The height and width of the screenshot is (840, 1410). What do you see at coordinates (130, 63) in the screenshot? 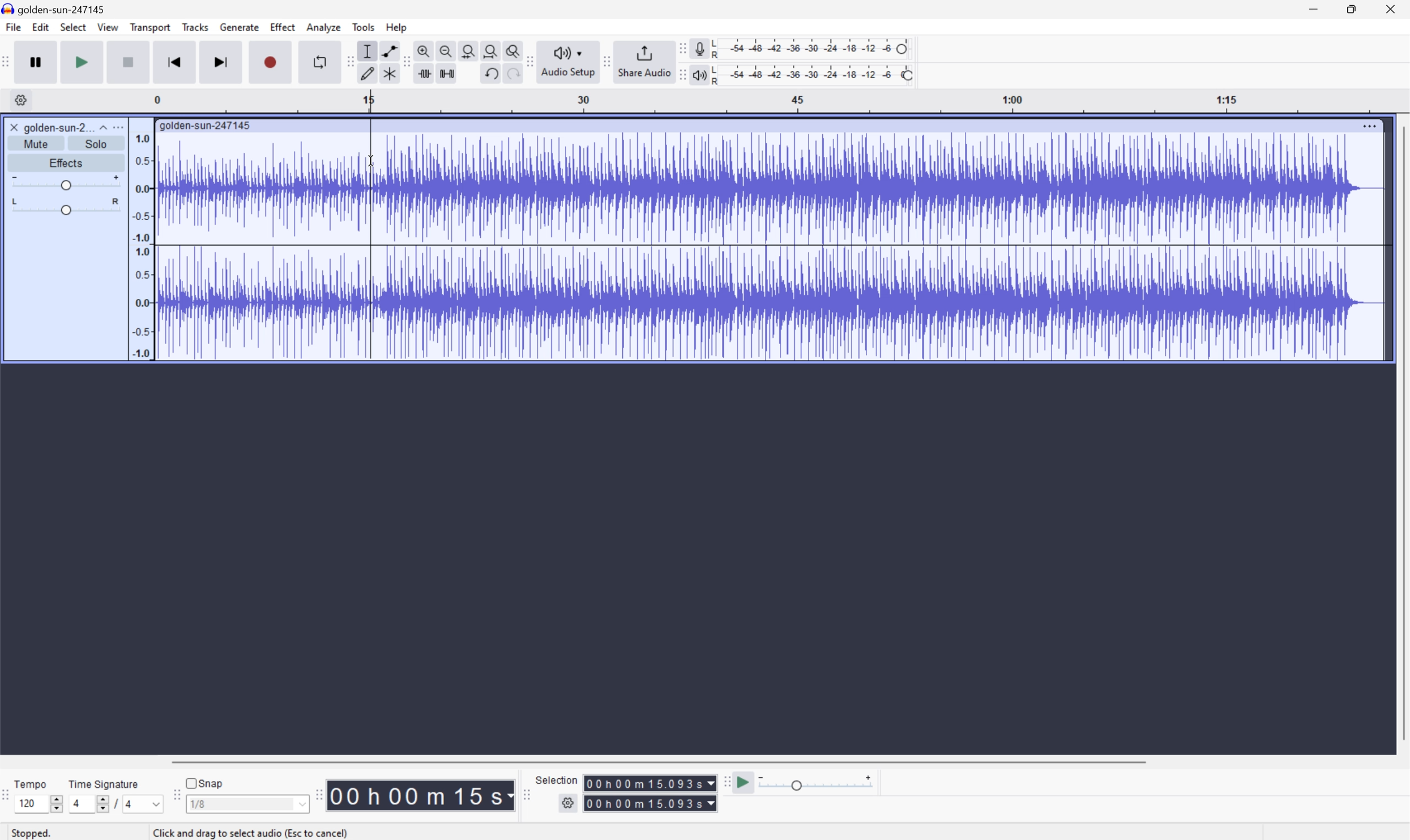
I see `Stop` at bounding box center [130, 63].